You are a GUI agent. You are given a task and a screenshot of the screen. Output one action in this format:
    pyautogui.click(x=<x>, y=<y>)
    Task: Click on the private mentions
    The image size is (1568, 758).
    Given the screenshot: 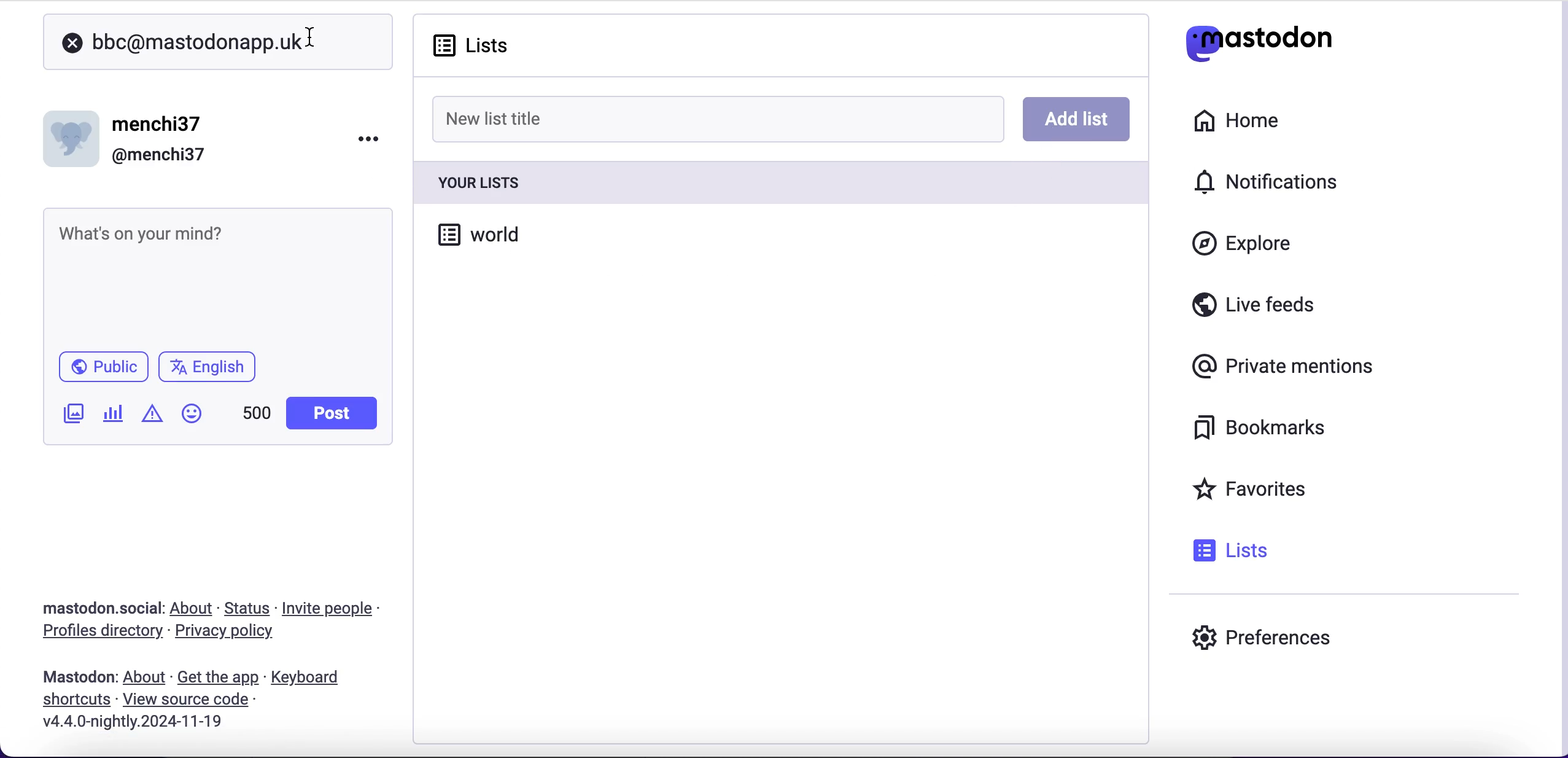 What is the action you would take?
    pyautogui.click(x=1287, y=363)
    